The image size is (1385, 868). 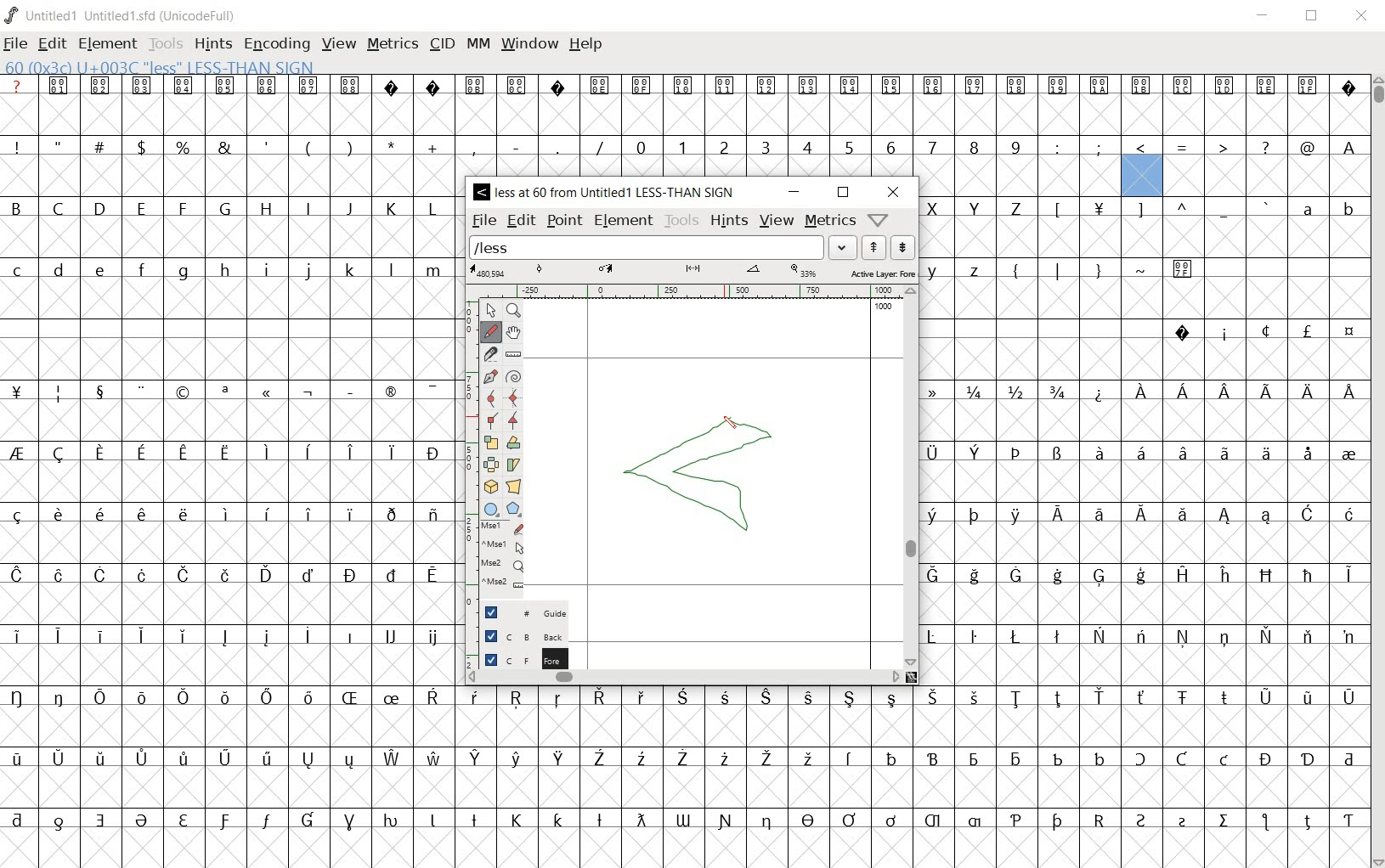 What do you see at coordinates (1020, 175) in the screenshot?
I see `empty cells` at bounding box center [1020, 175].